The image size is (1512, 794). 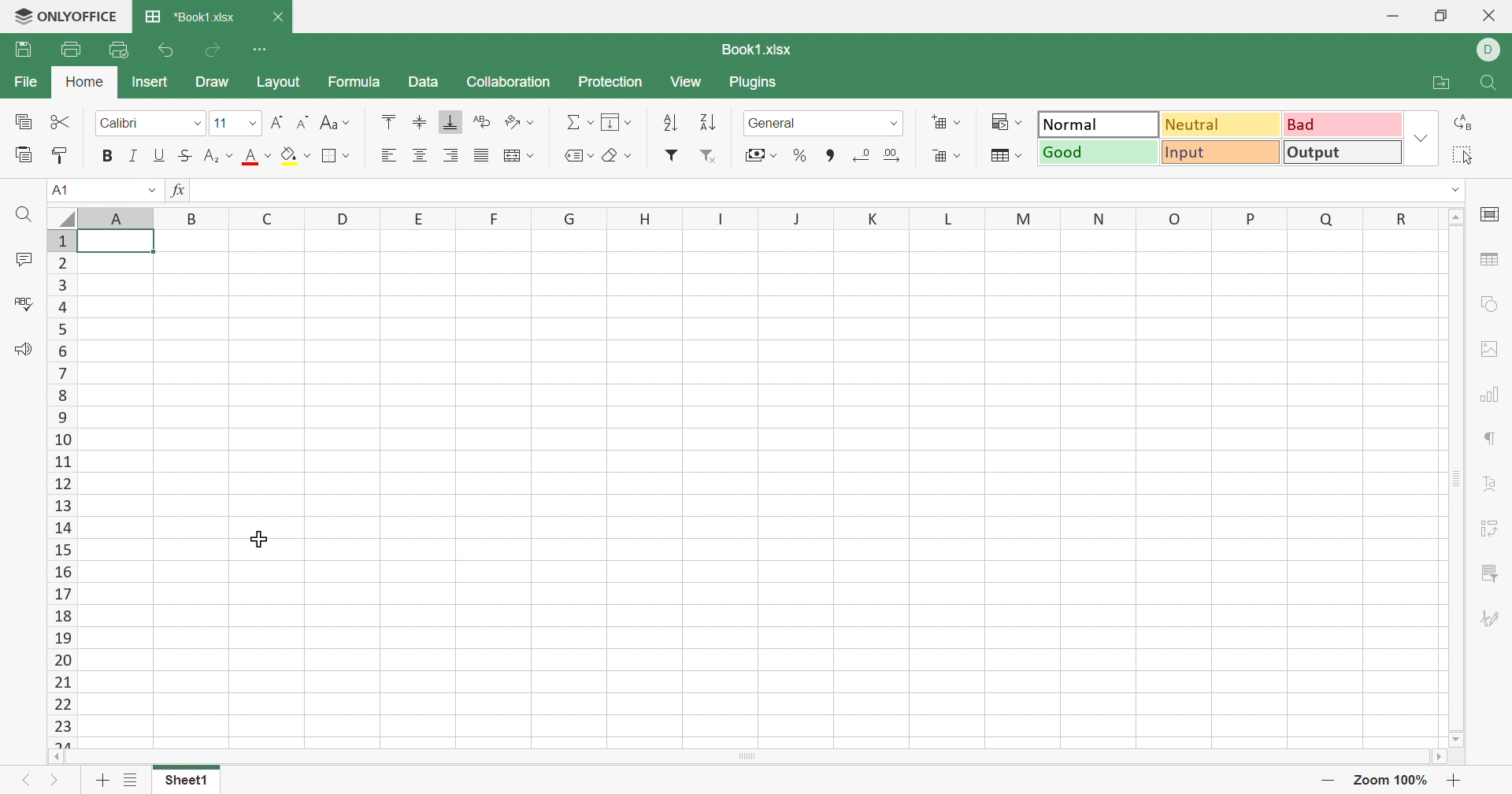 I want to click on Customize Quick access toolbar, so click(x=264, y=49).